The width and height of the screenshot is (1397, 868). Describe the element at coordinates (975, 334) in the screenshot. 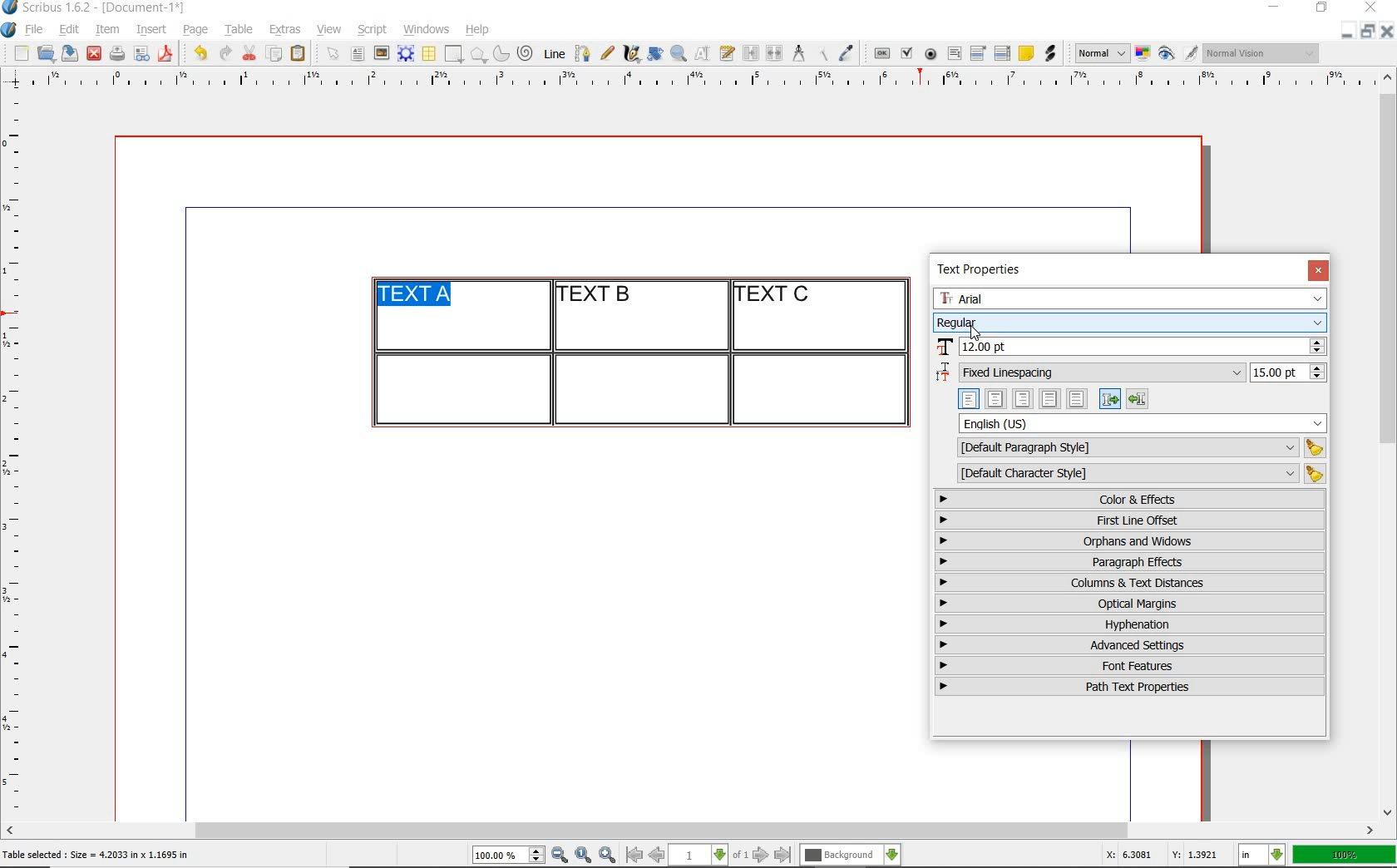

I see `cursor` at that location.